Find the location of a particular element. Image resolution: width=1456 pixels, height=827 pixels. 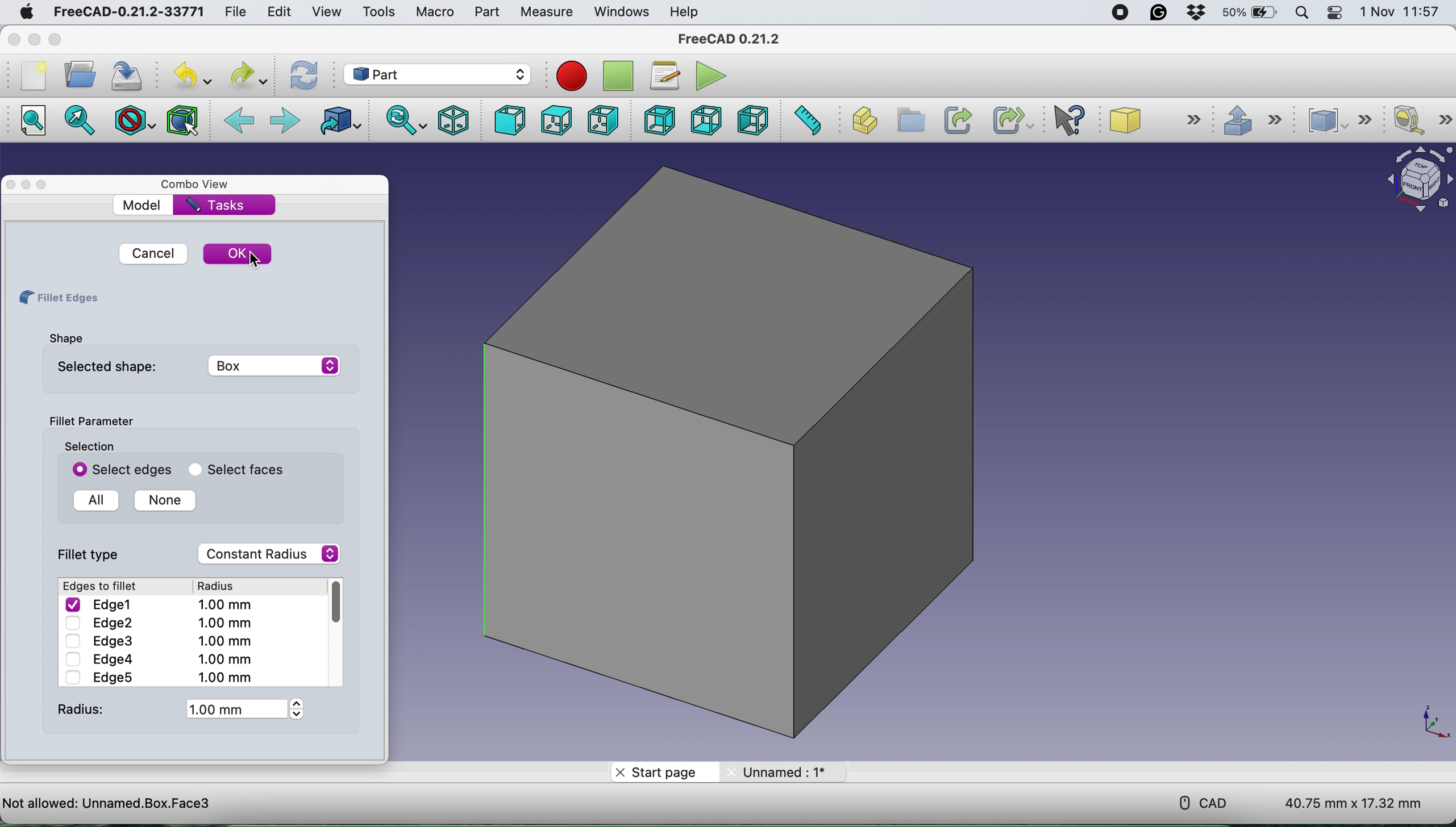

tools is located at coordinates (375, 12).